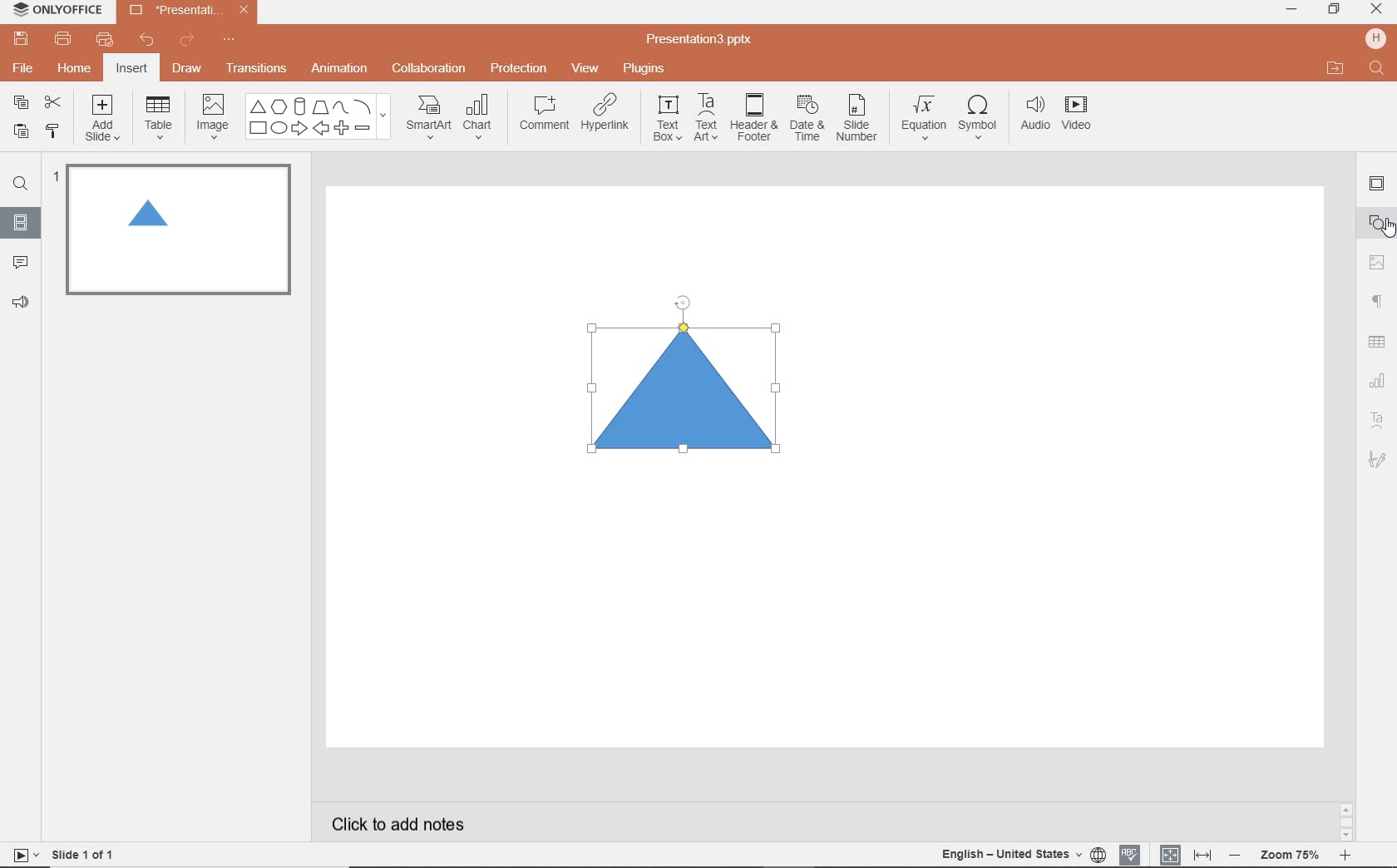  What do you see at coordinates (925, 121) in the screenshot?
I see `EQUATION` at bounding box center [925, 121].